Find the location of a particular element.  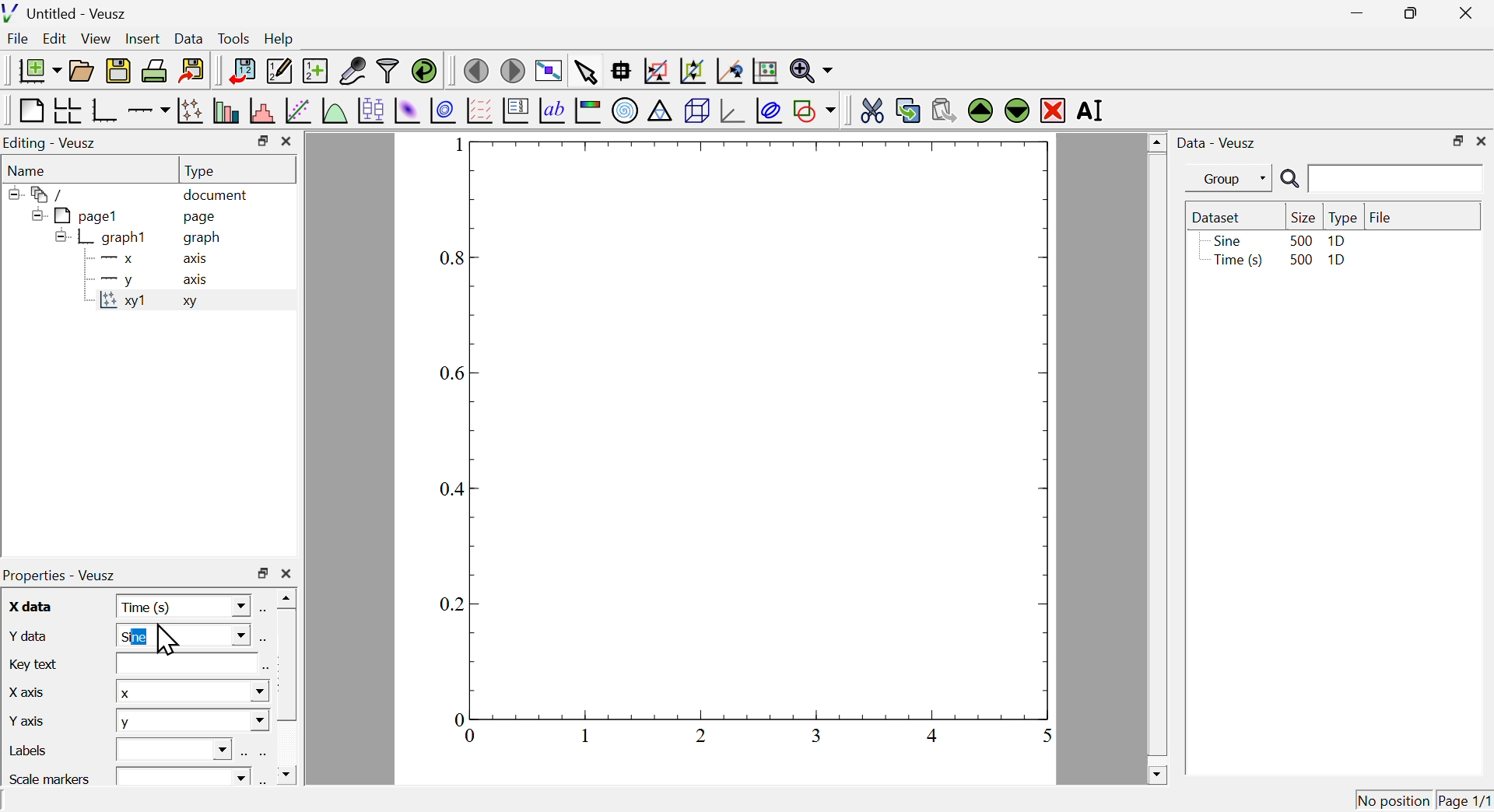

ternary graph is located at coordinates (661, 113).